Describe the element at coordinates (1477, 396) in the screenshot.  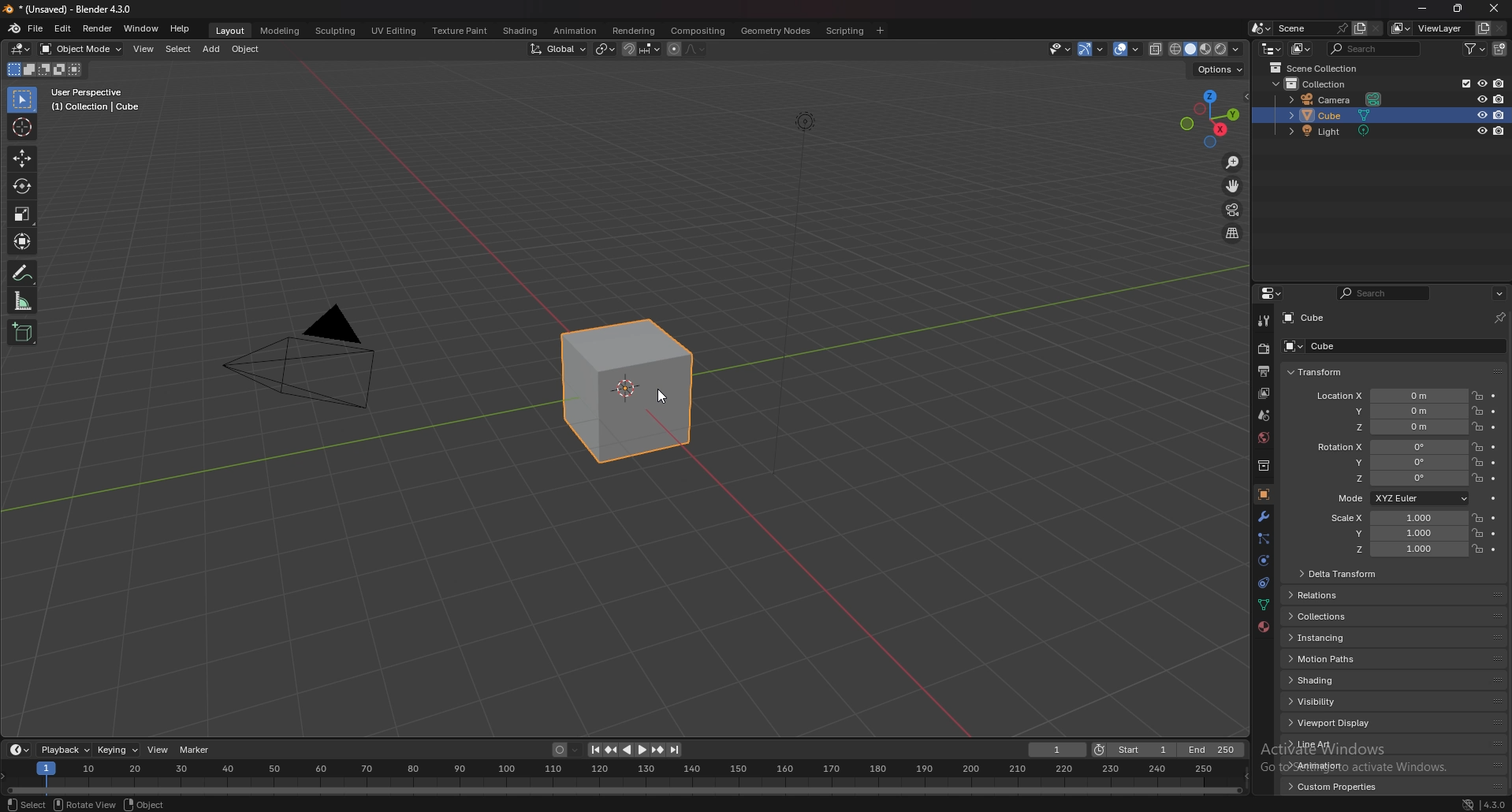
I see `lock location` at that location.